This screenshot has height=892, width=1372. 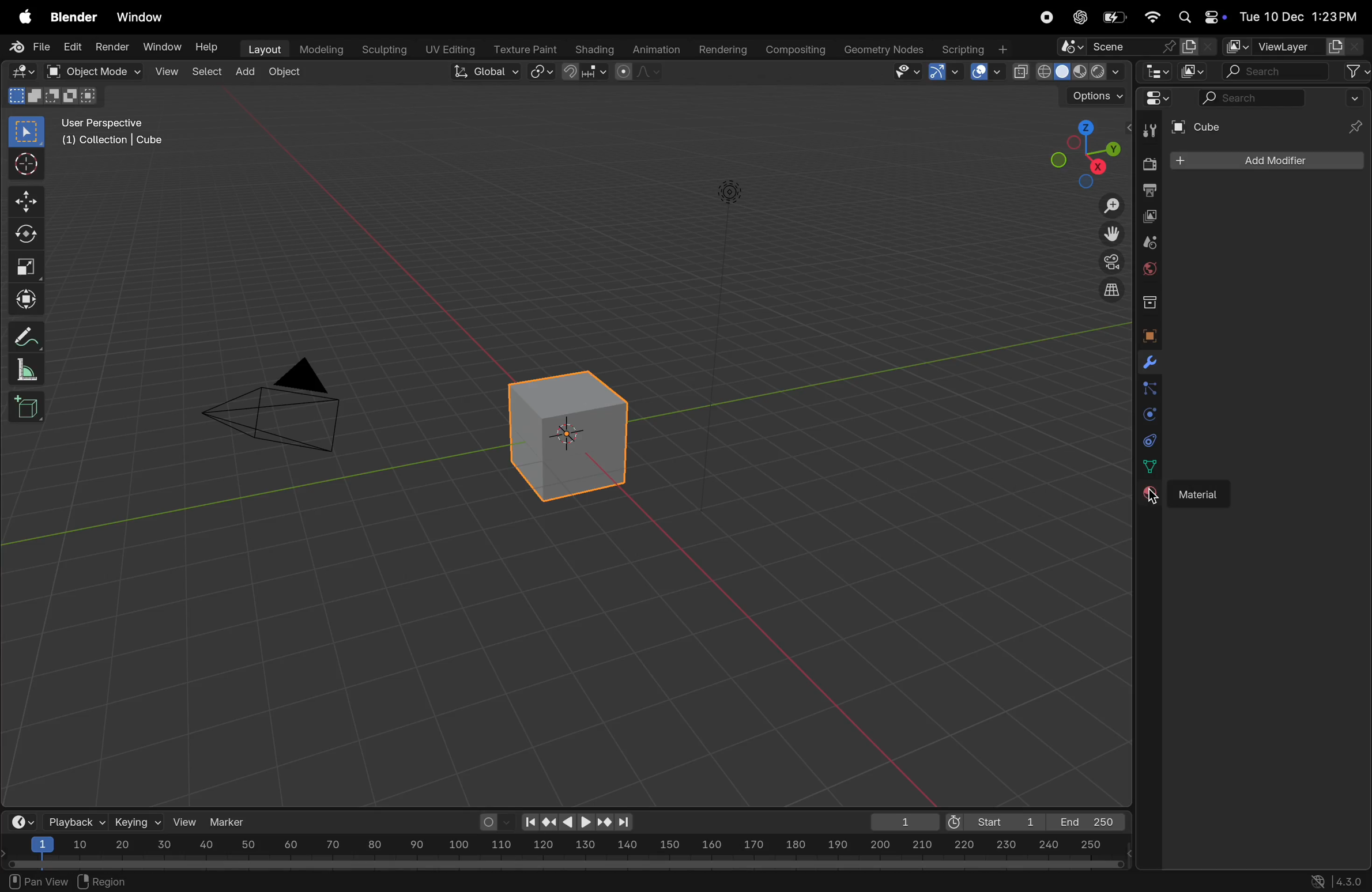 What do you see at coordinates (1148, 164) in the screenshot?
I see `render` at bounding box center [1148, 164].